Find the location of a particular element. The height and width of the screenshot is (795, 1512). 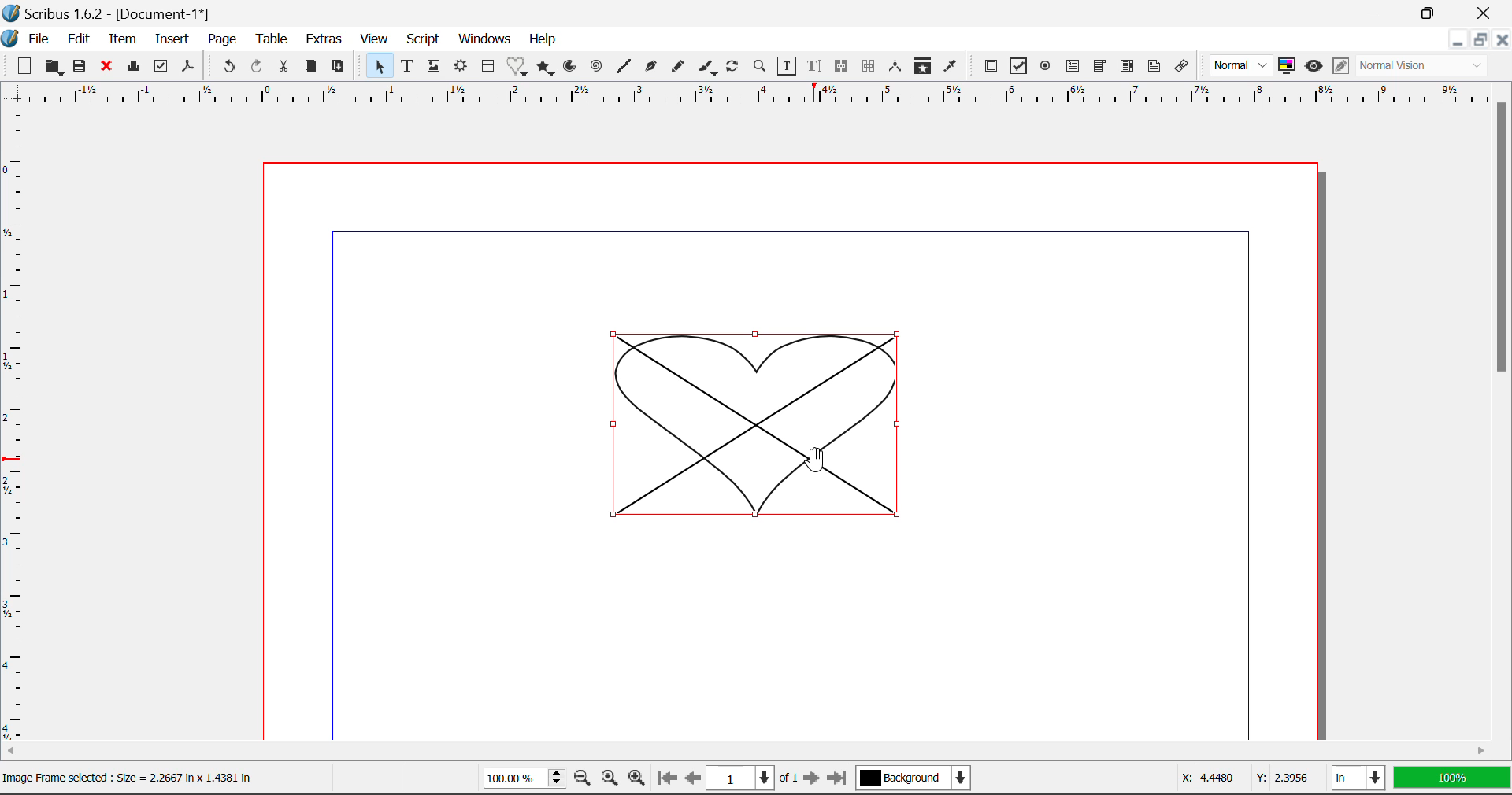

Close is located at coordinates (109, 68).